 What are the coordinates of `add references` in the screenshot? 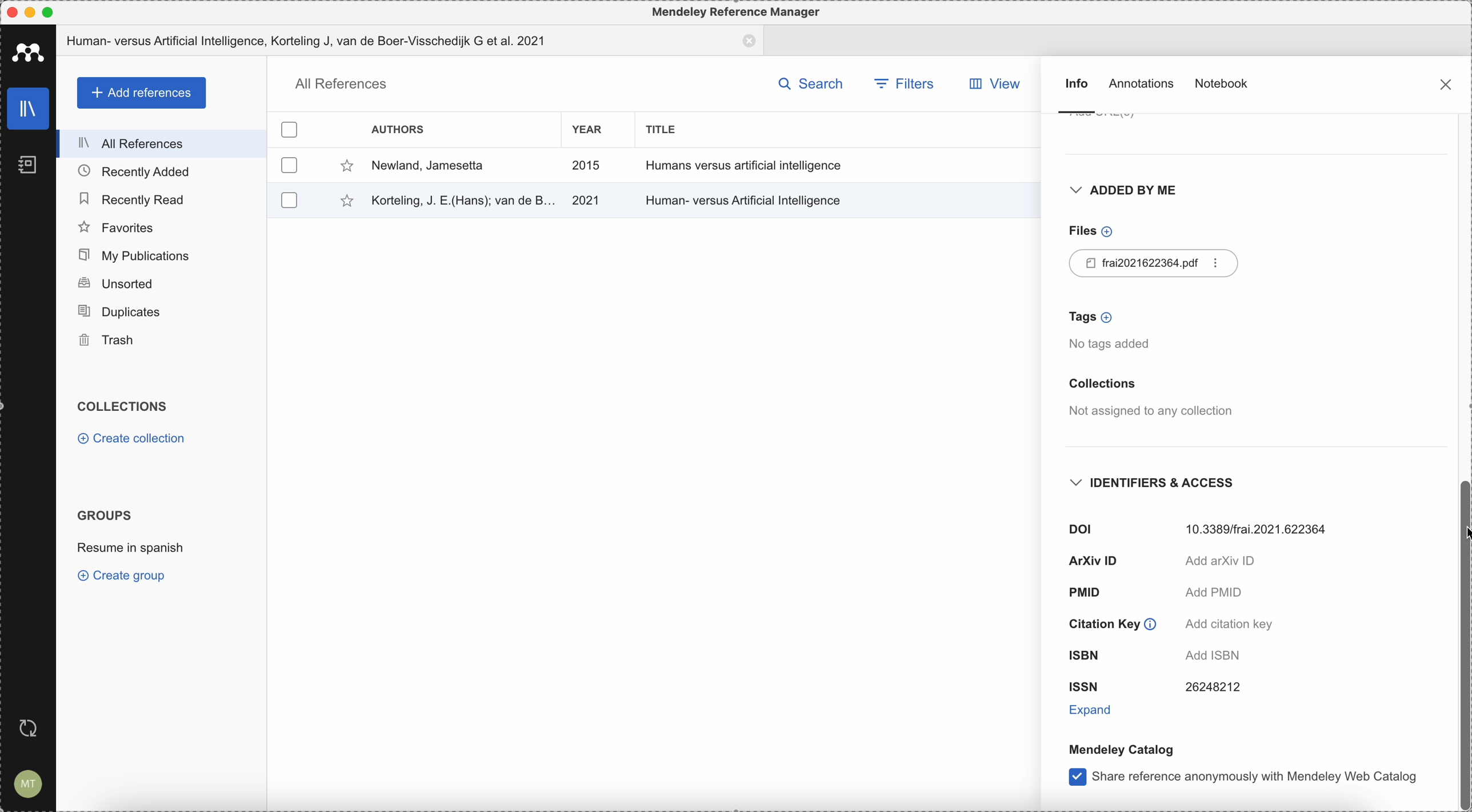 It's located at (140, 93).